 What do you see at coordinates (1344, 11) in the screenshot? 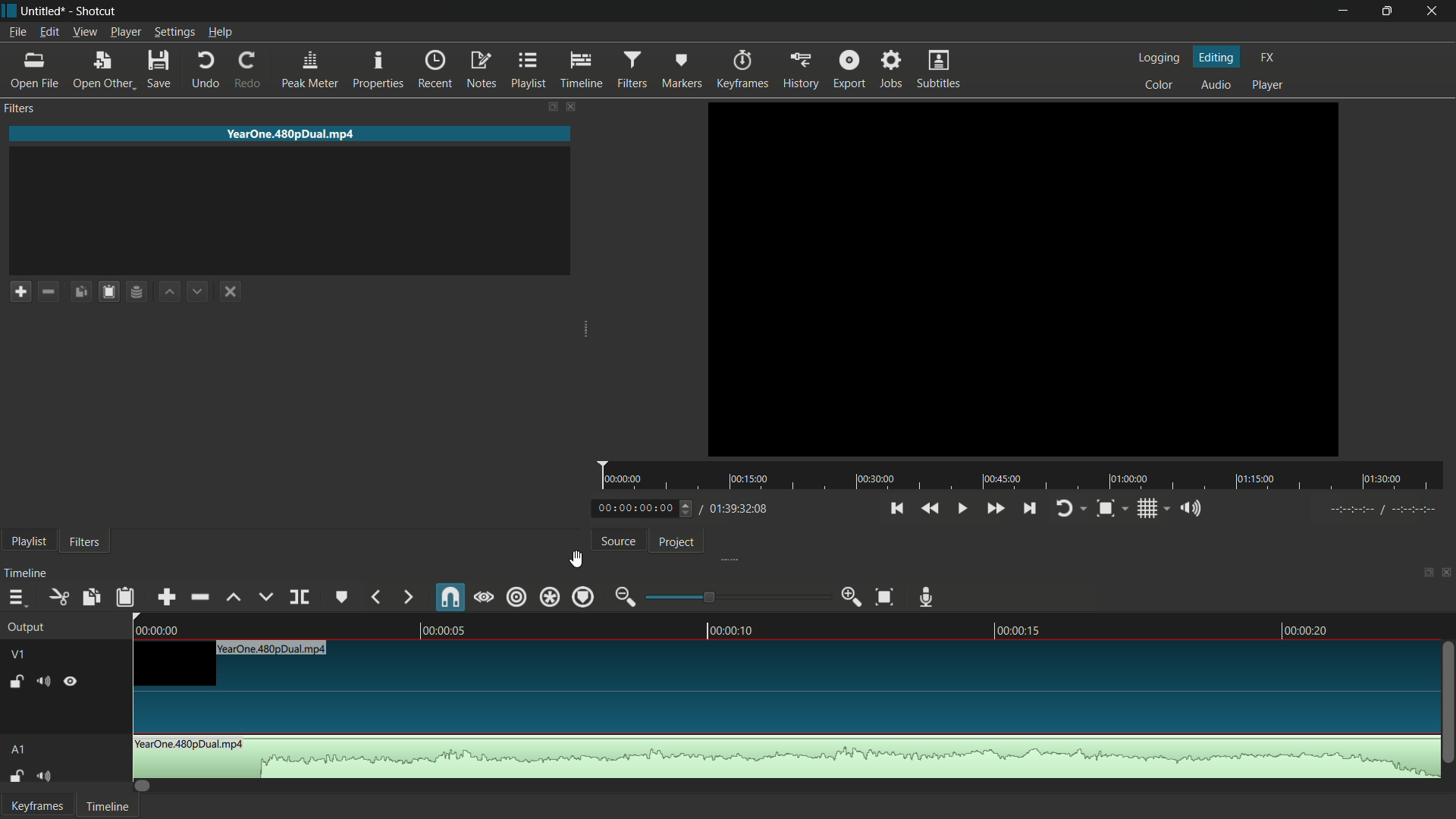
I see `minimize` at bounding box center [1344, 11].